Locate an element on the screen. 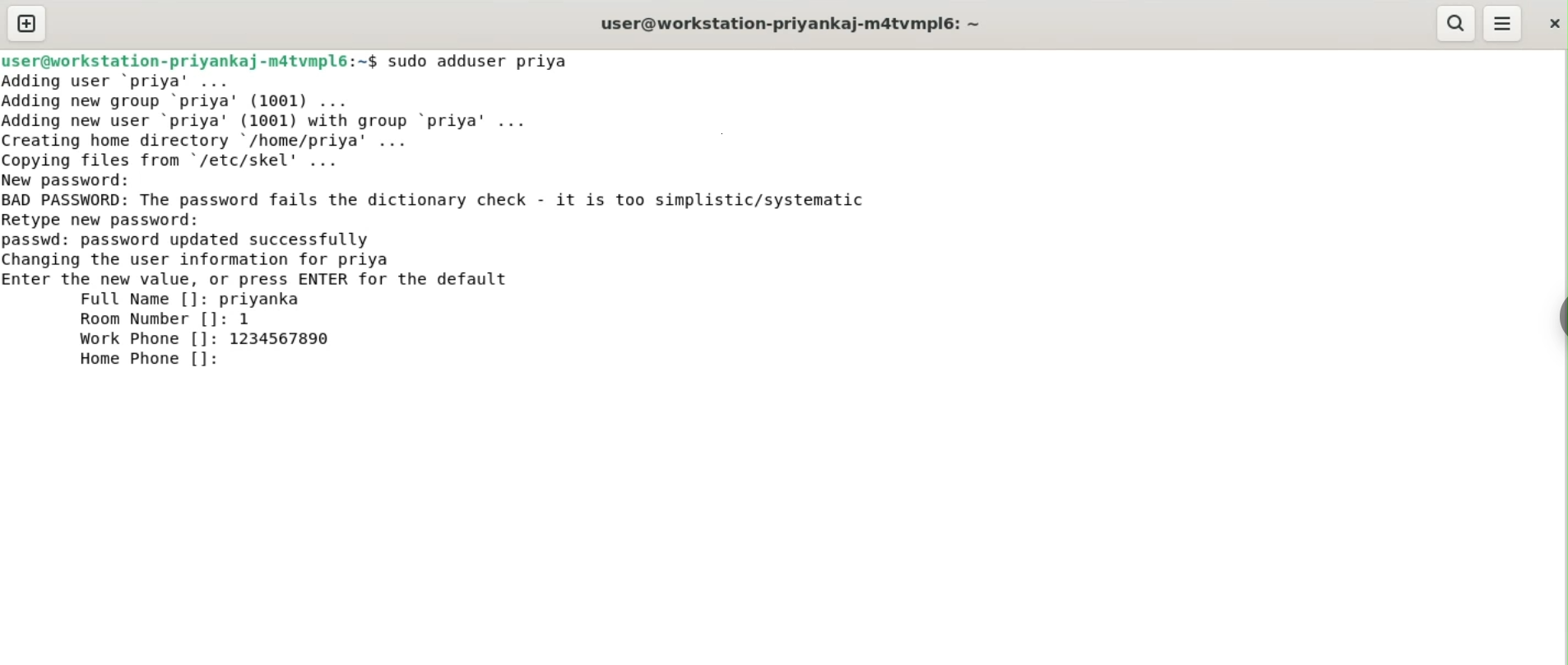  close is located at coordinates (1552, 19).